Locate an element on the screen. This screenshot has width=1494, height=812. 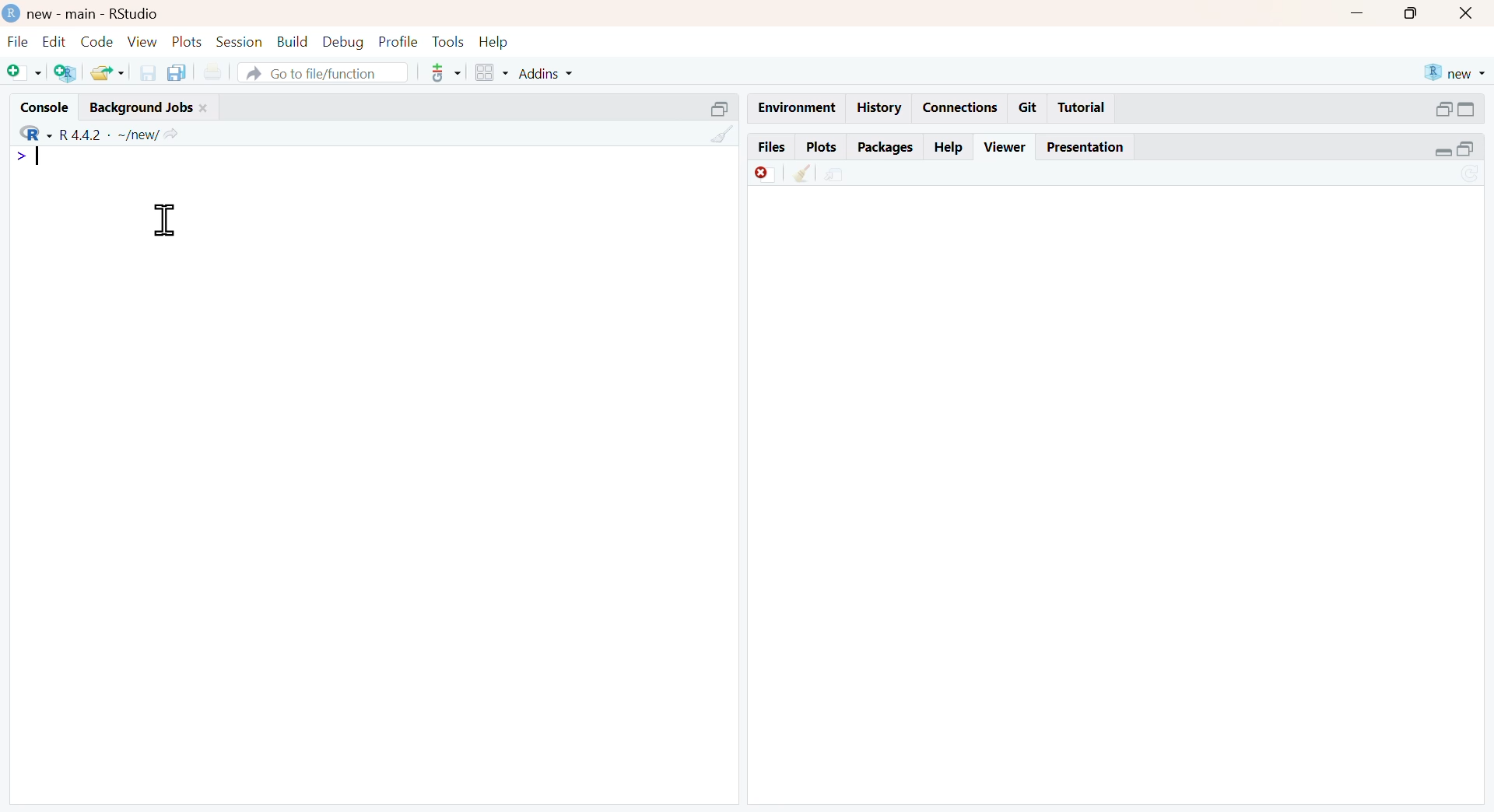
Code is located at coordinates (96, 40).